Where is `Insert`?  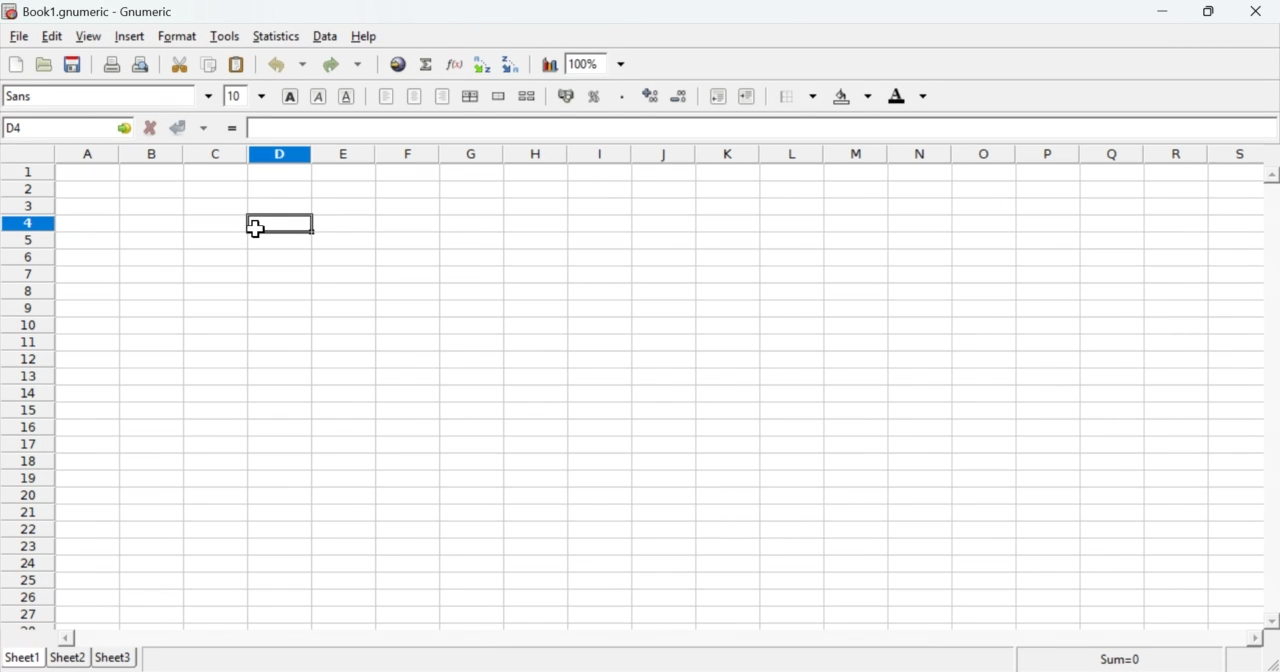
Insert is located at coordinates (130, 36).